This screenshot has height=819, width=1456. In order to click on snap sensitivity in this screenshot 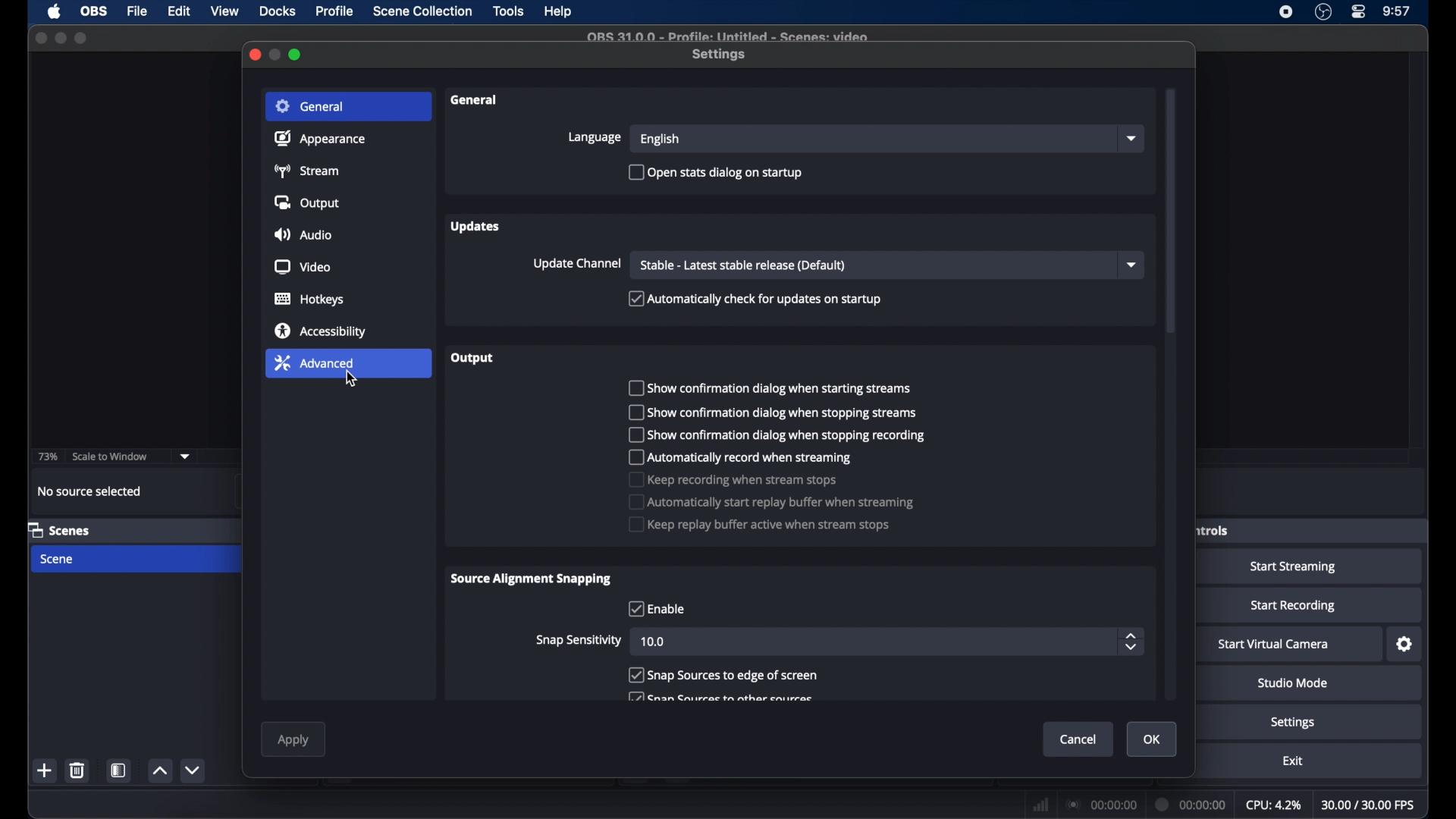, I will do `click(579, 640)`.